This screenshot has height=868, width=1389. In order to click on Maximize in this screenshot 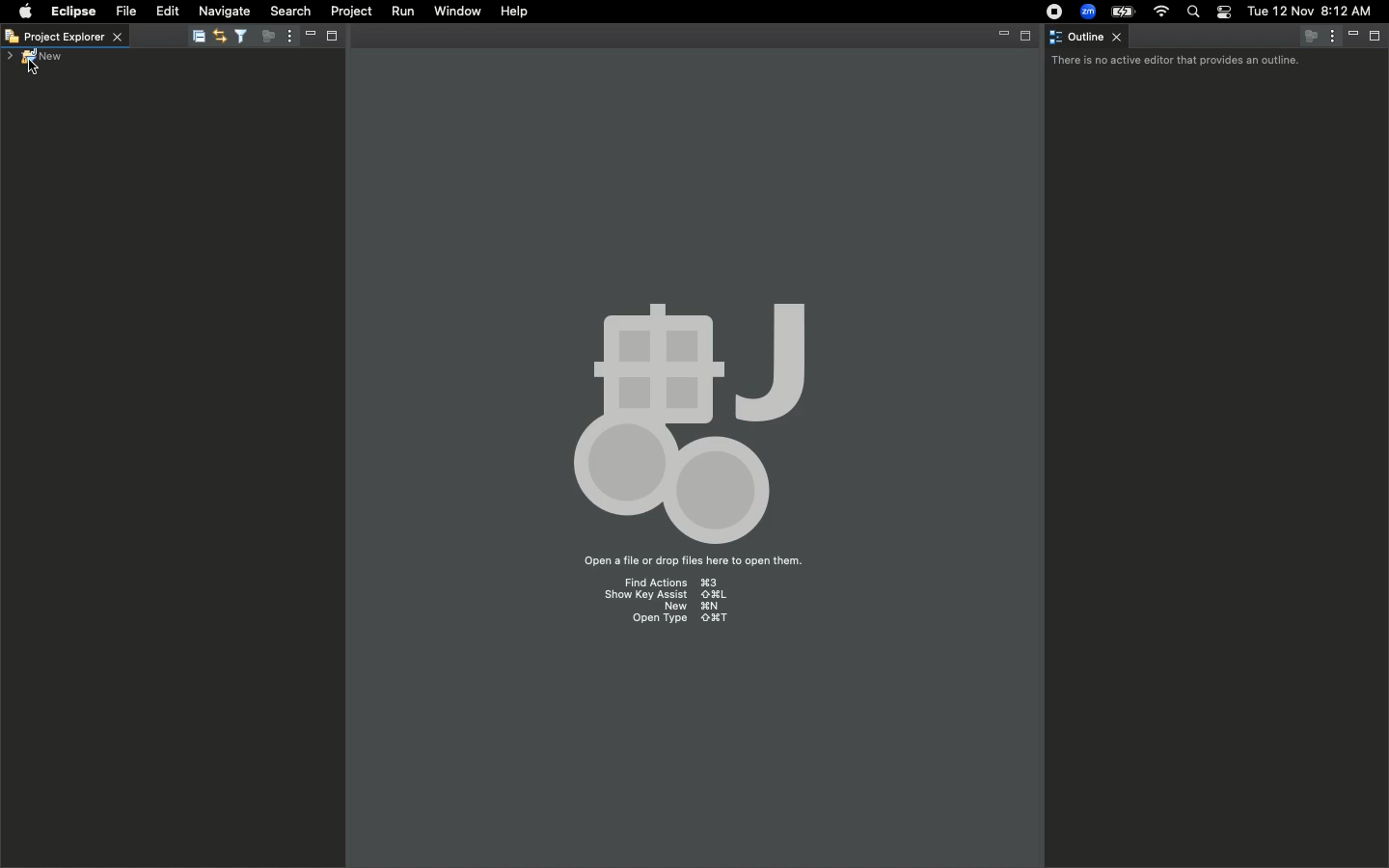, I will do `click(330, 36)`.